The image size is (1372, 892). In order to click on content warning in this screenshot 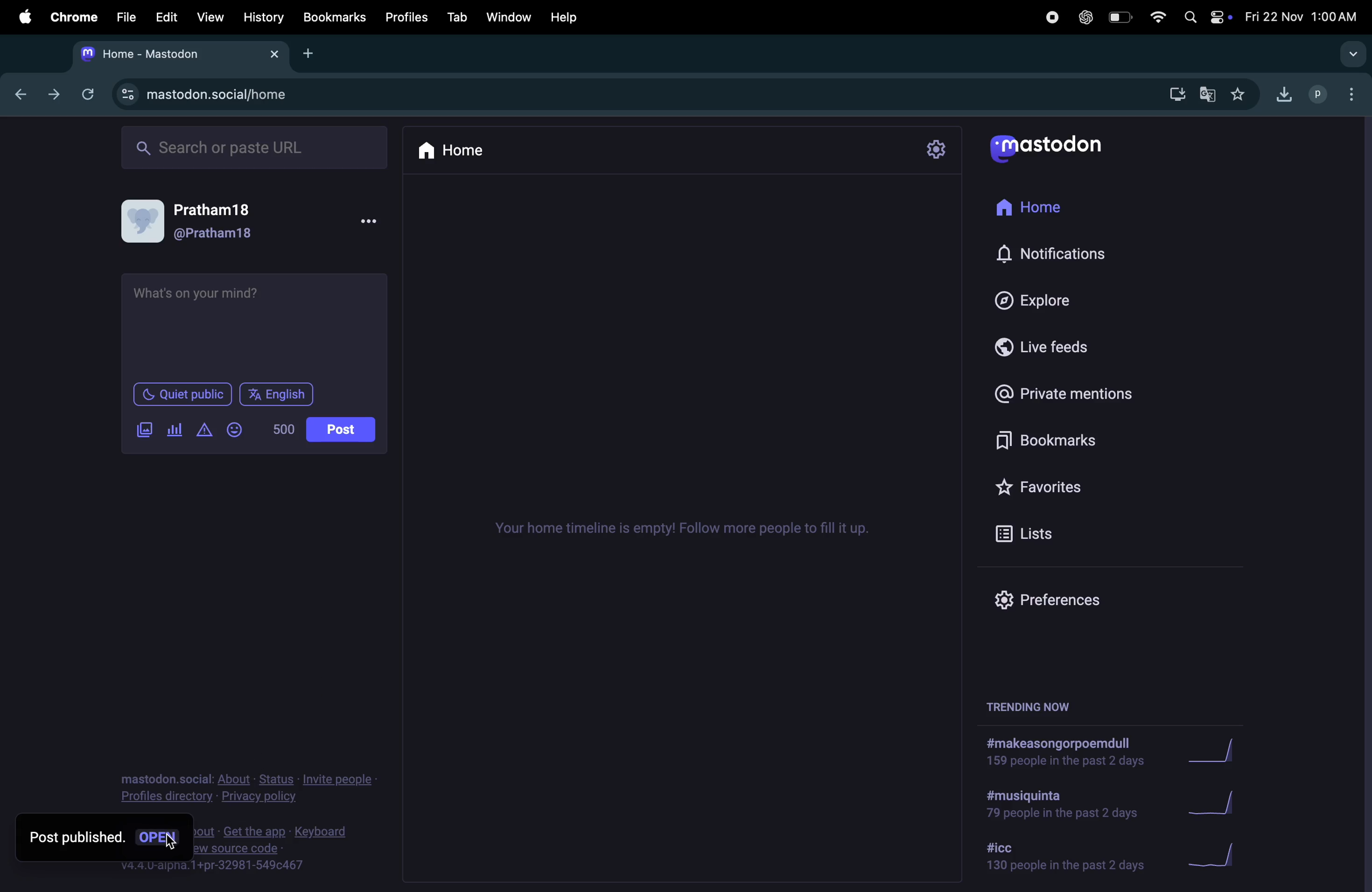, I will do `click(203, 432)`.